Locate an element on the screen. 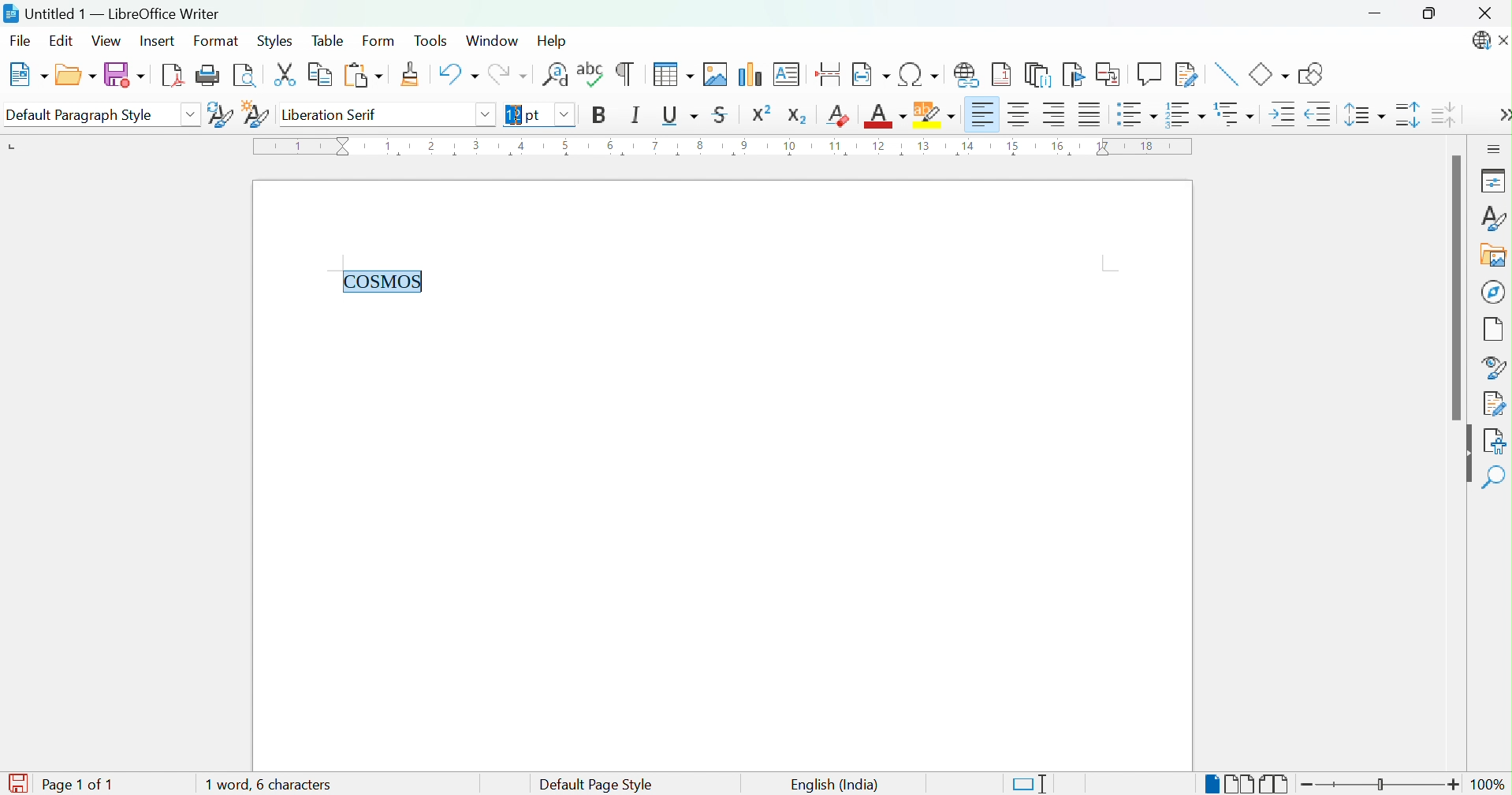 This screenshot has height=795, width=1512. Ibeam Cursor is located at coordinates (517, 114).